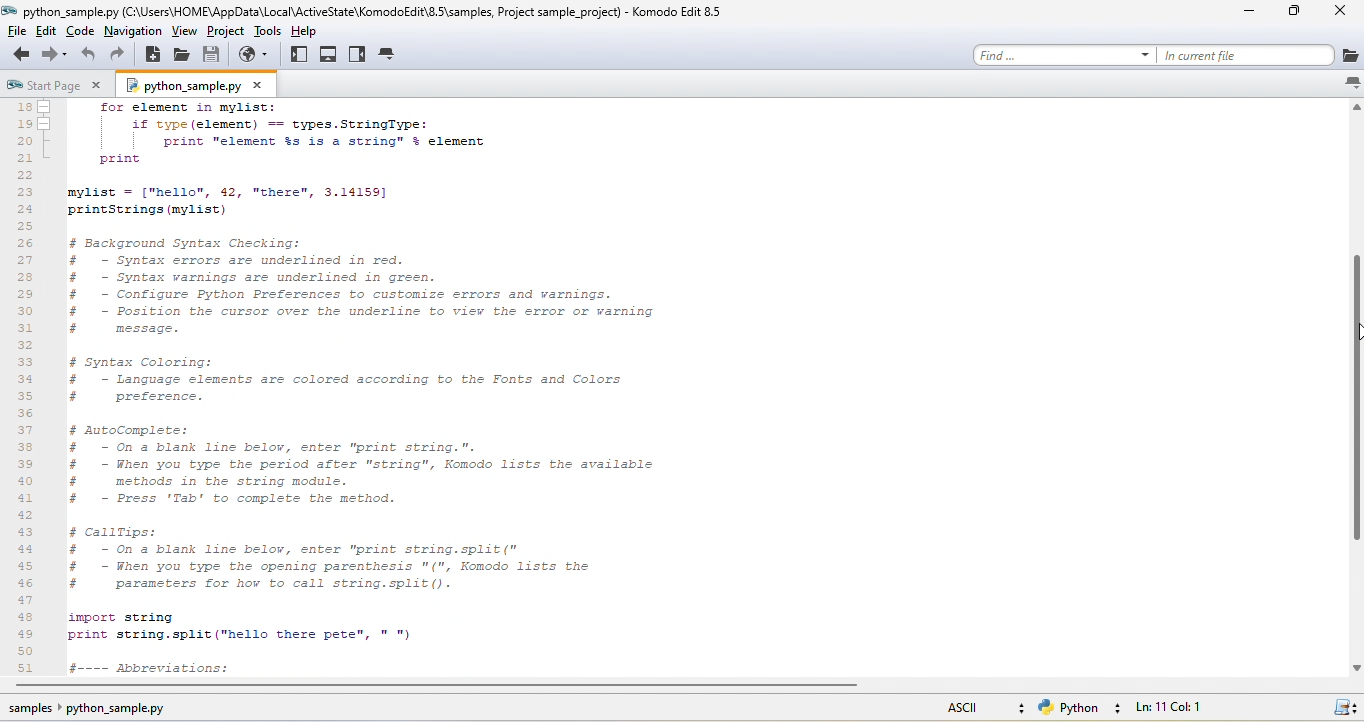 The image size is (1364, 722). I want to click on opened file name, so click(71, 11).